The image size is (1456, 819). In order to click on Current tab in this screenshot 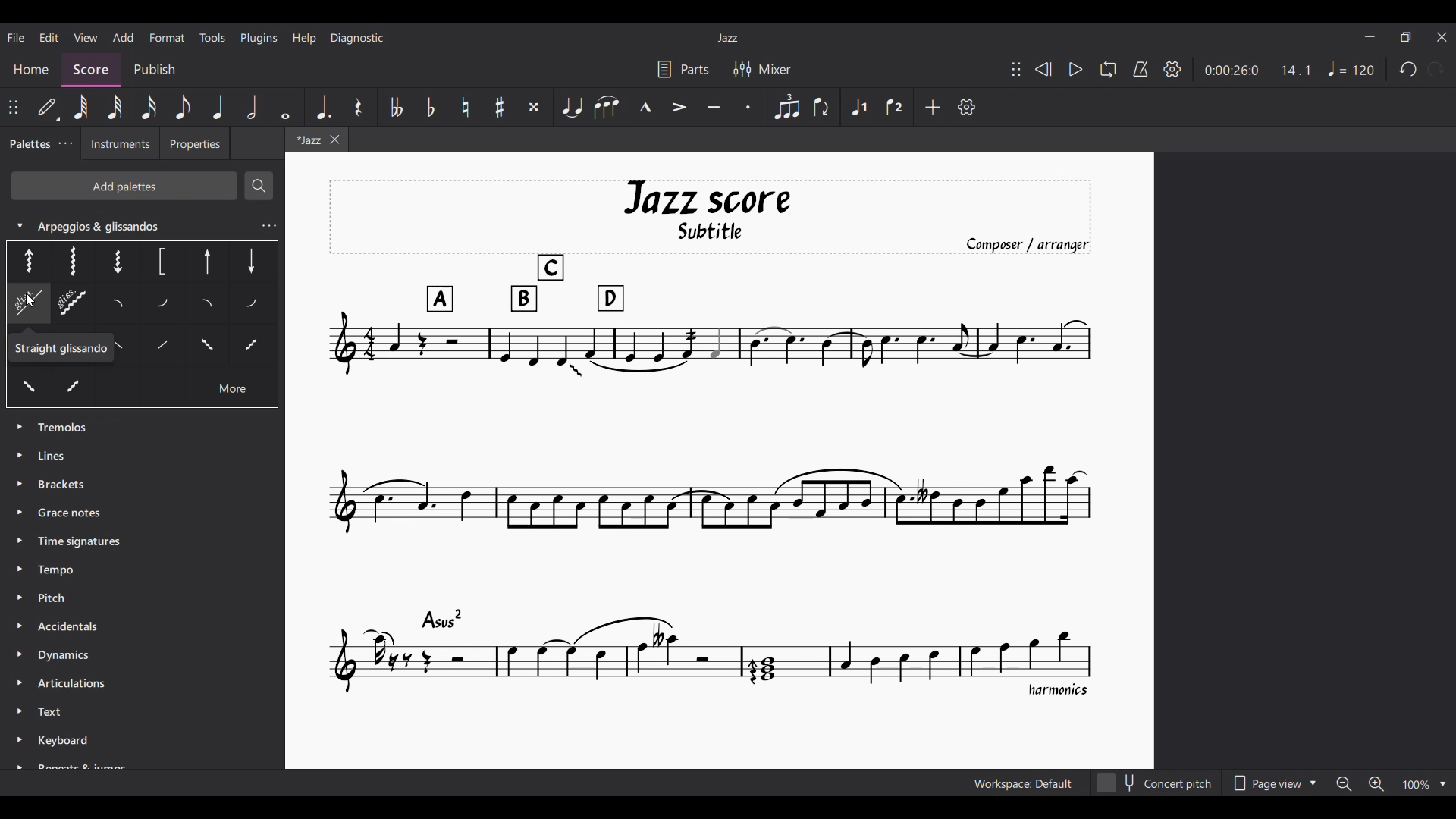, I will do `click(306, 141)`.